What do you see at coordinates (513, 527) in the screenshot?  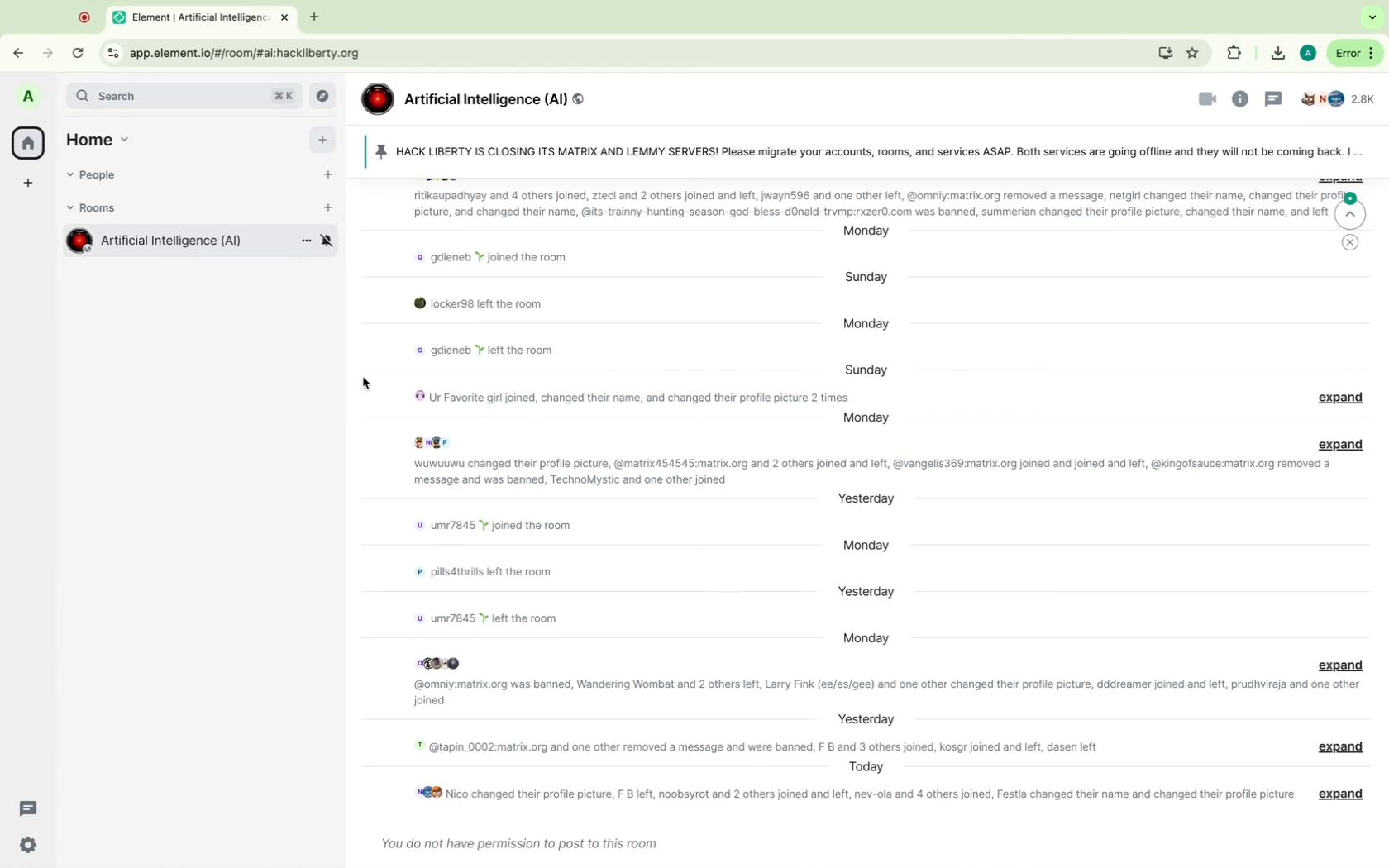 I see `message` at bounding box center [513, 527].